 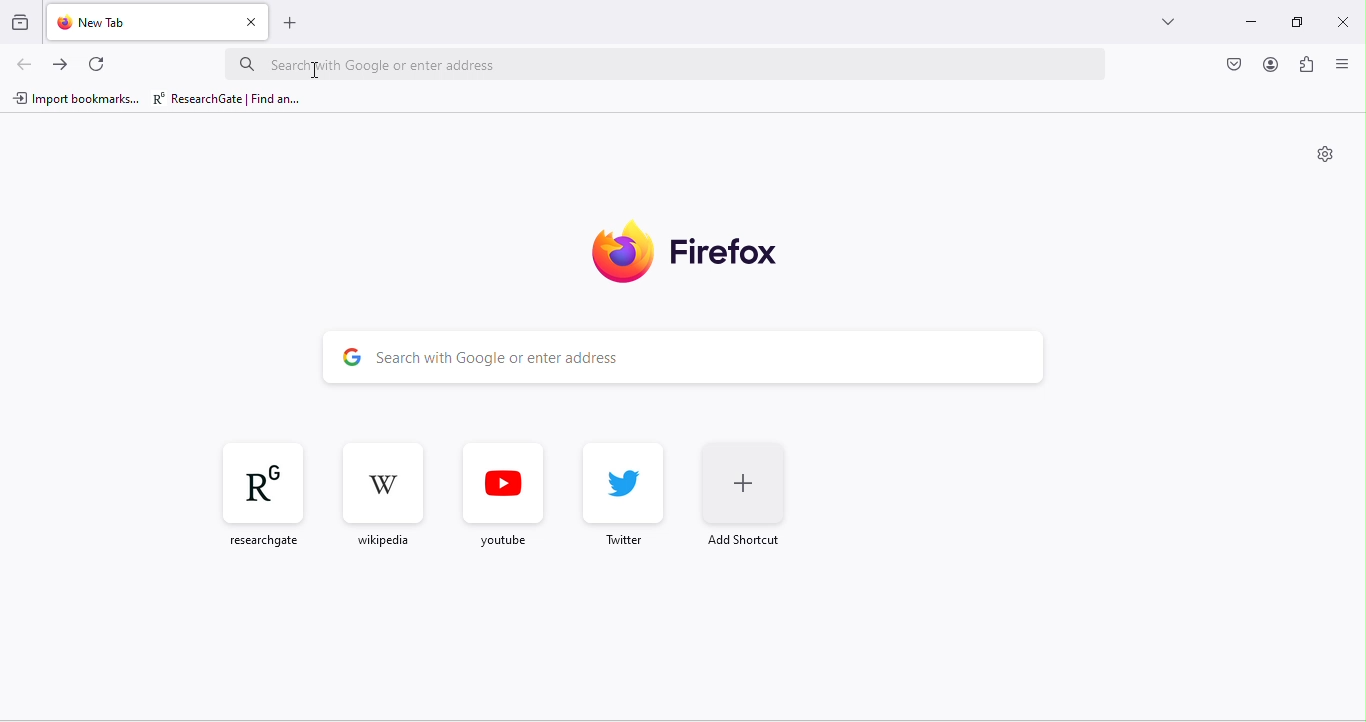 What do you see at coordinates (291, 21) in the screenshot?
I see `add ` at bounding box center [291, 21].